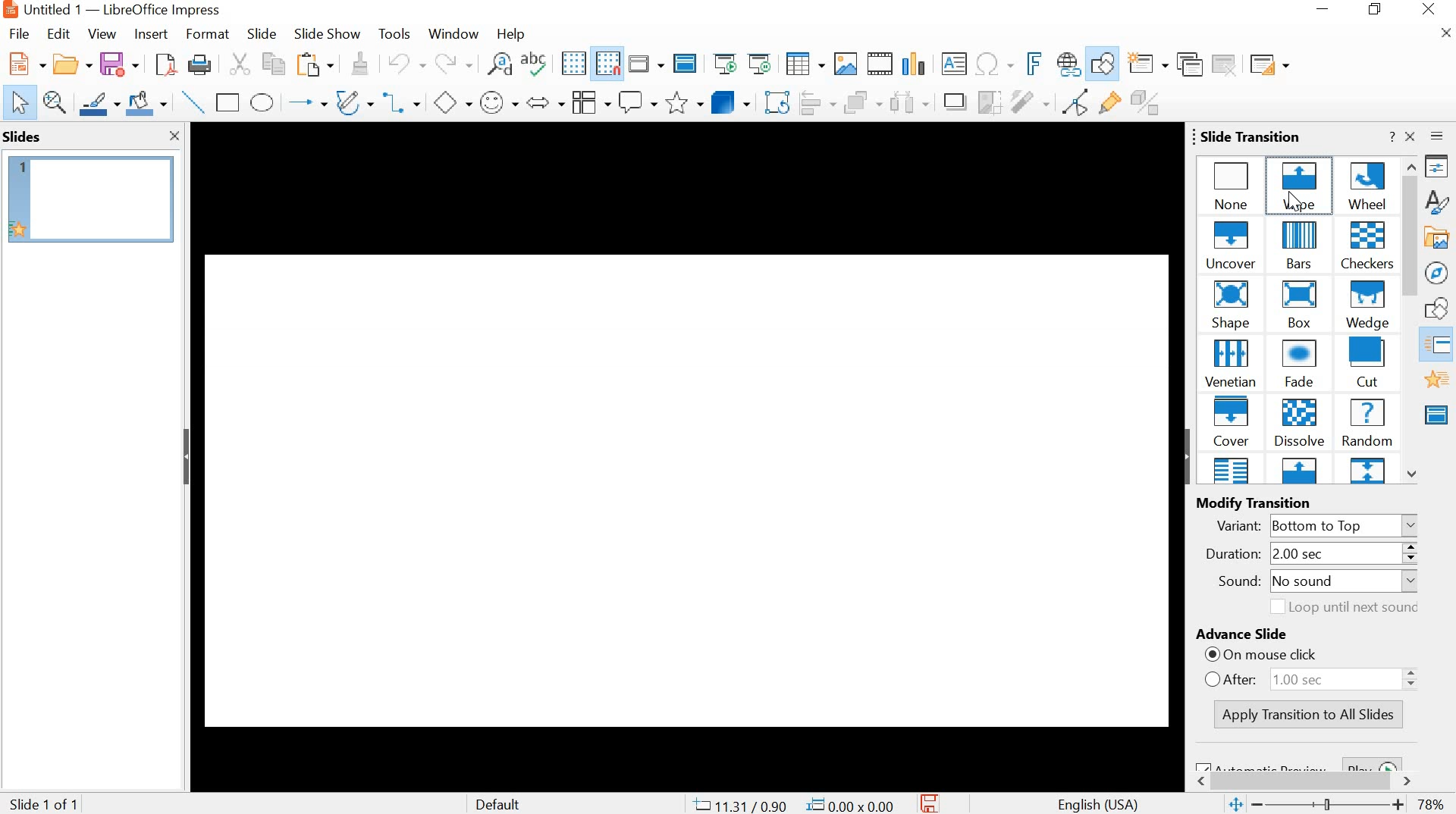 This screenshot has width=1456, height=814. Describe the element at coordinates (590, 102) in the screenshot. I see `Flowchart` at that location.